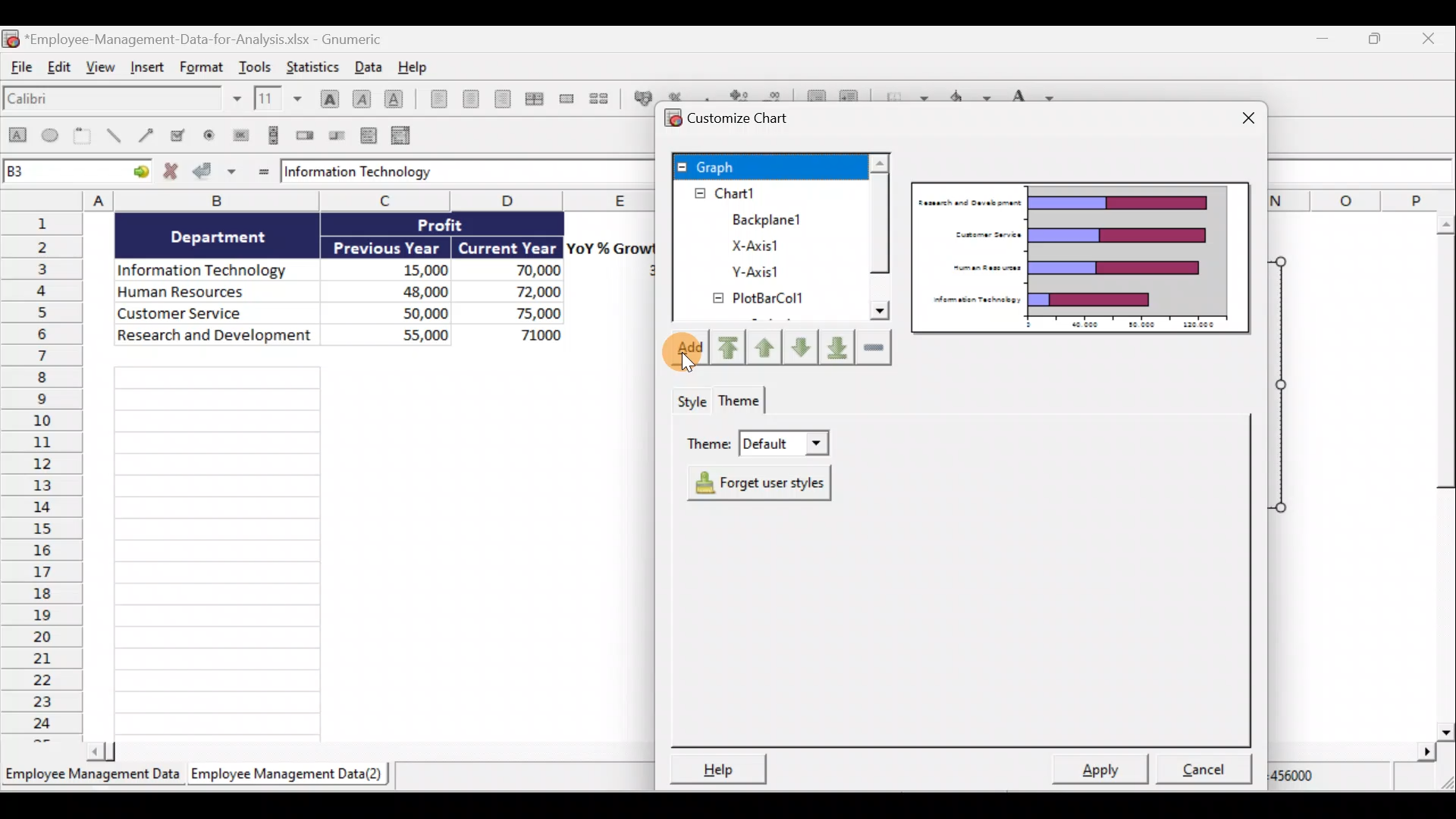 This screenshot has height=819, width=1456. I want to click on Gnumeric logo, so click(11, 38).